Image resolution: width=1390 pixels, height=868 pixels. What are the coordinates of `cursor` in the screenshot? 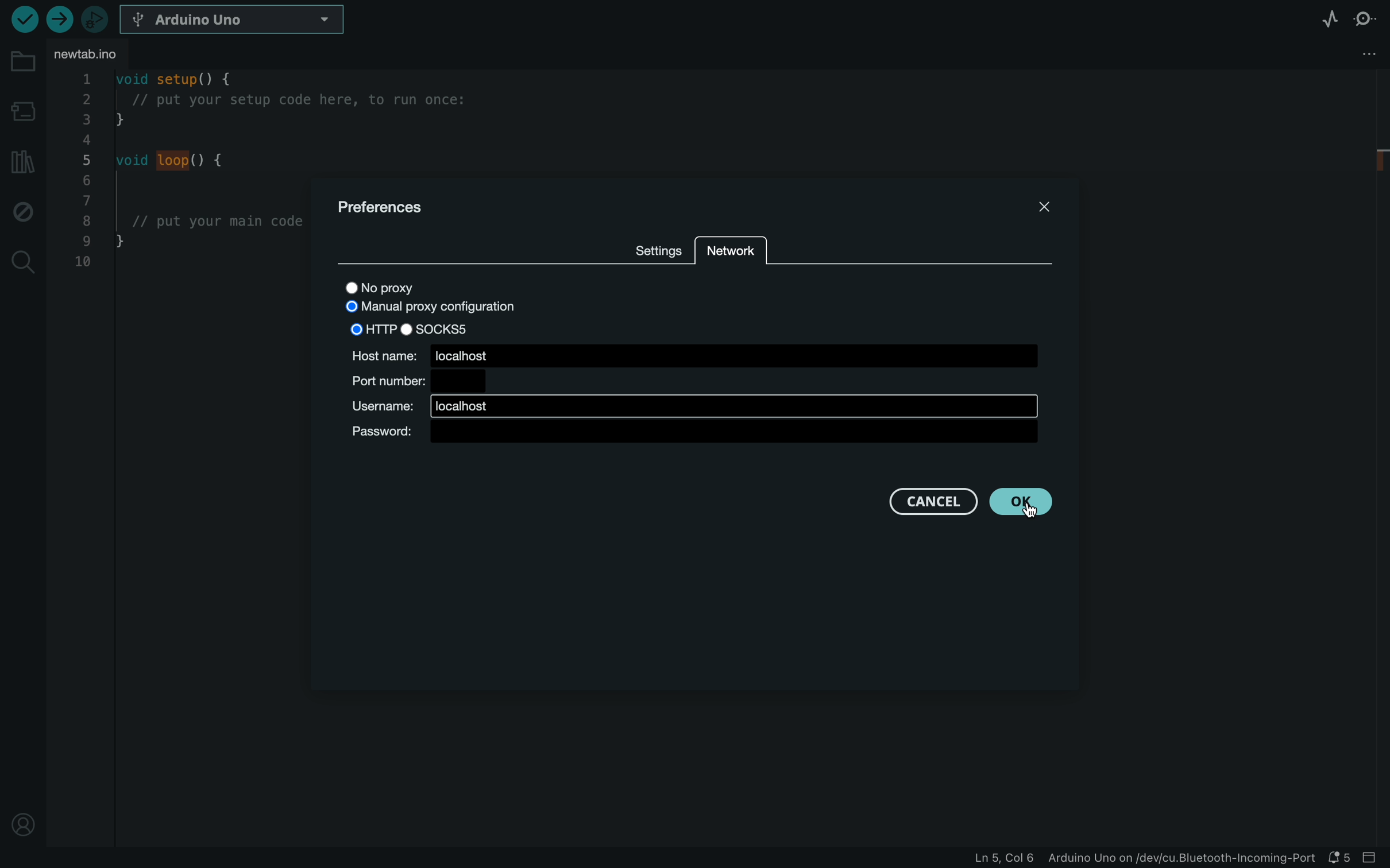 It's located at (1028, 505).